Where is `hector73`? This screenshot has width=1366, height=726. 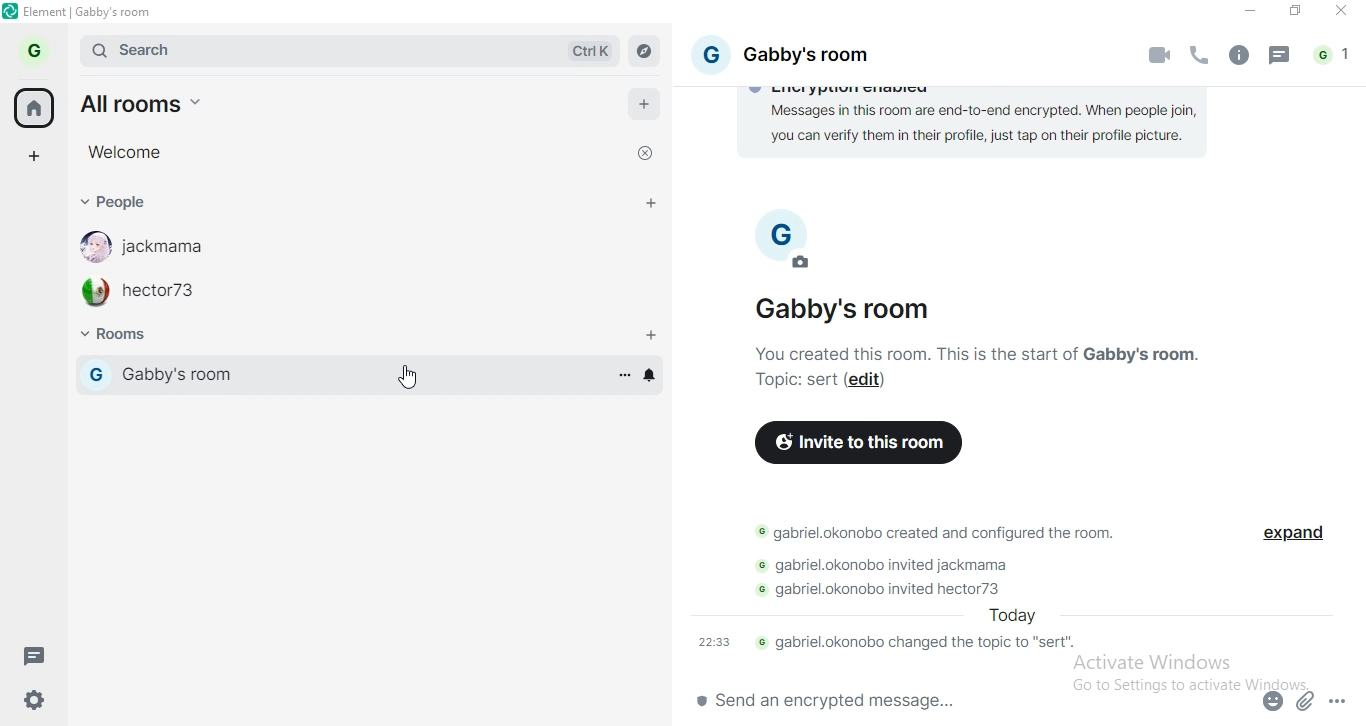 hector73 is located at coordinates (166, 295).